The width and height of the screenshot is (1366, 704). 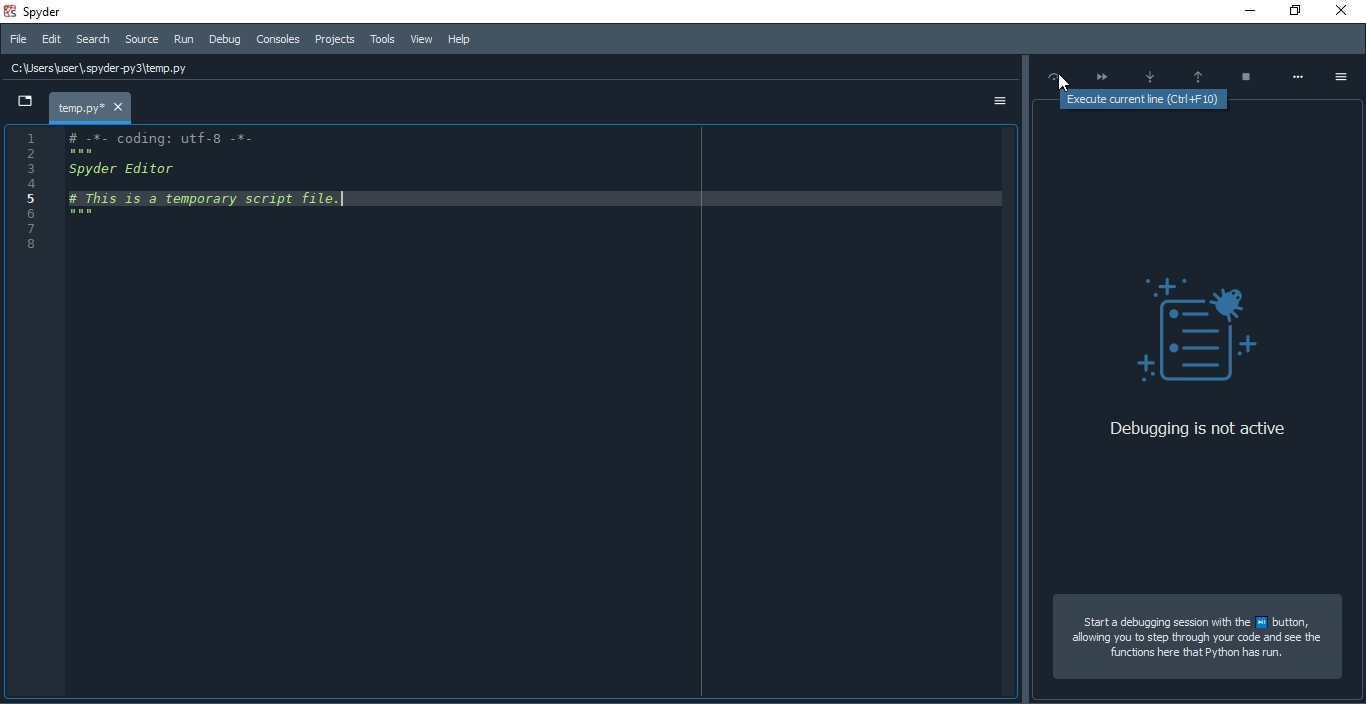 I want to click on Source, so click(x=142, y=40).